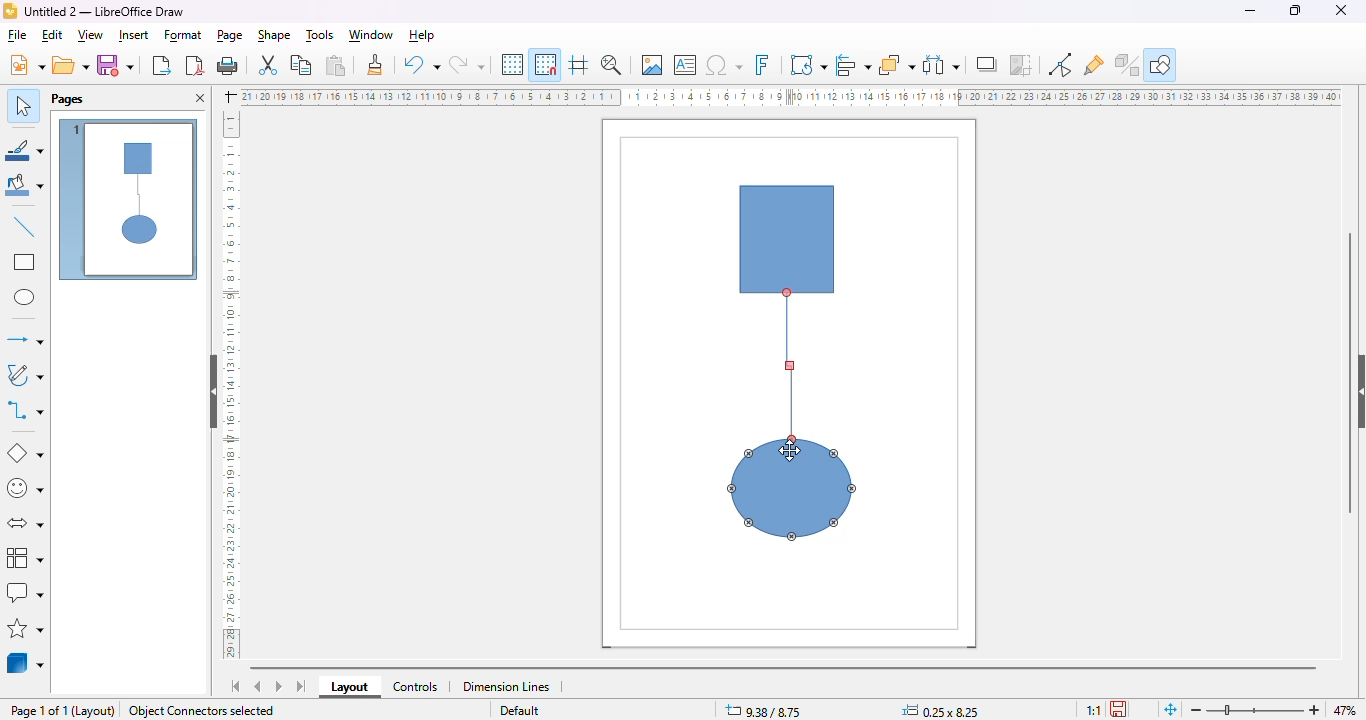 The image size is (1366, 720). I want to click on fill color, so click(25, 187).